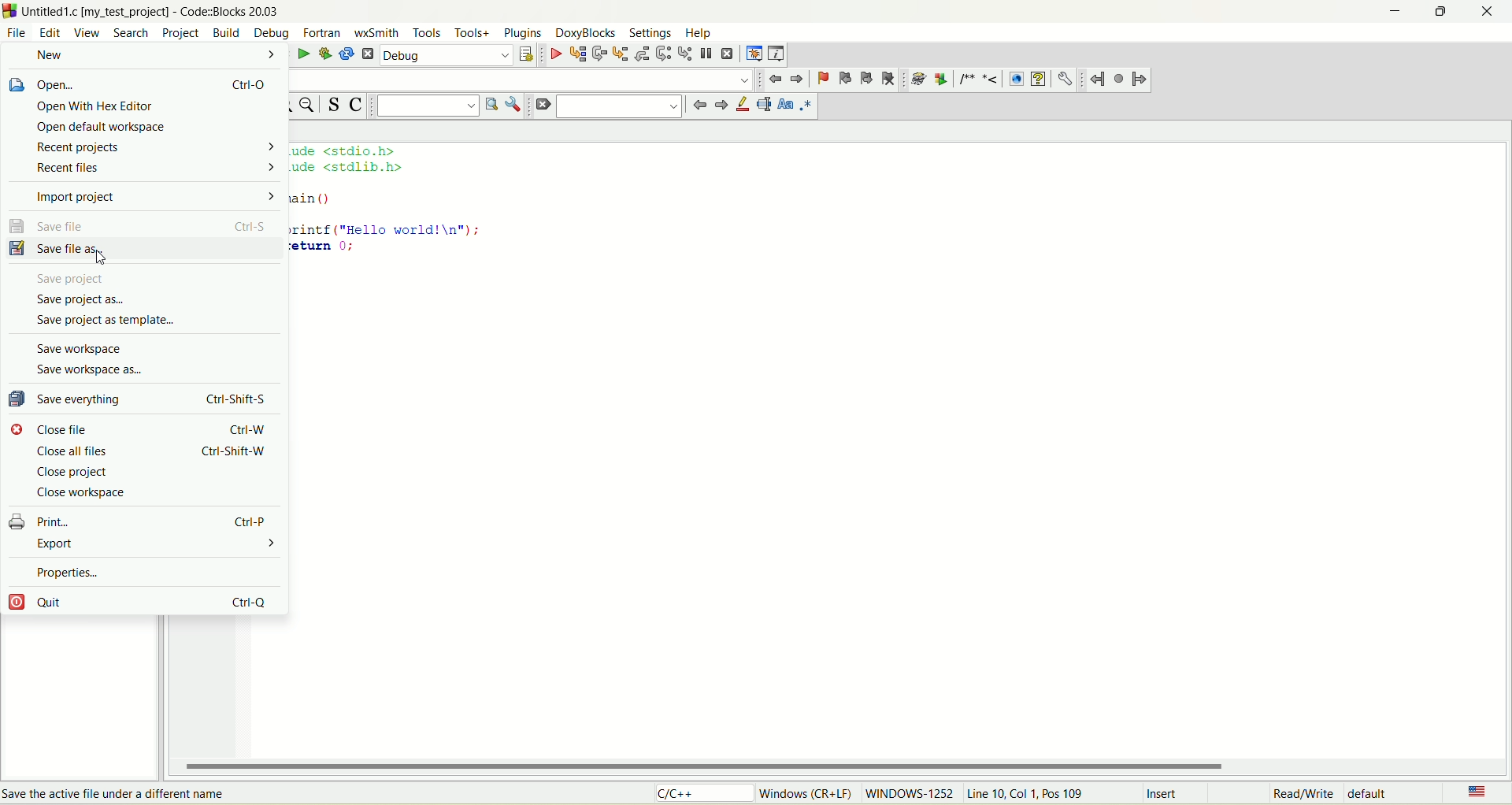  What do you see at coordinates (326, 54) in the screenshot?
I see `build and run` at bounding box center [326, 54].